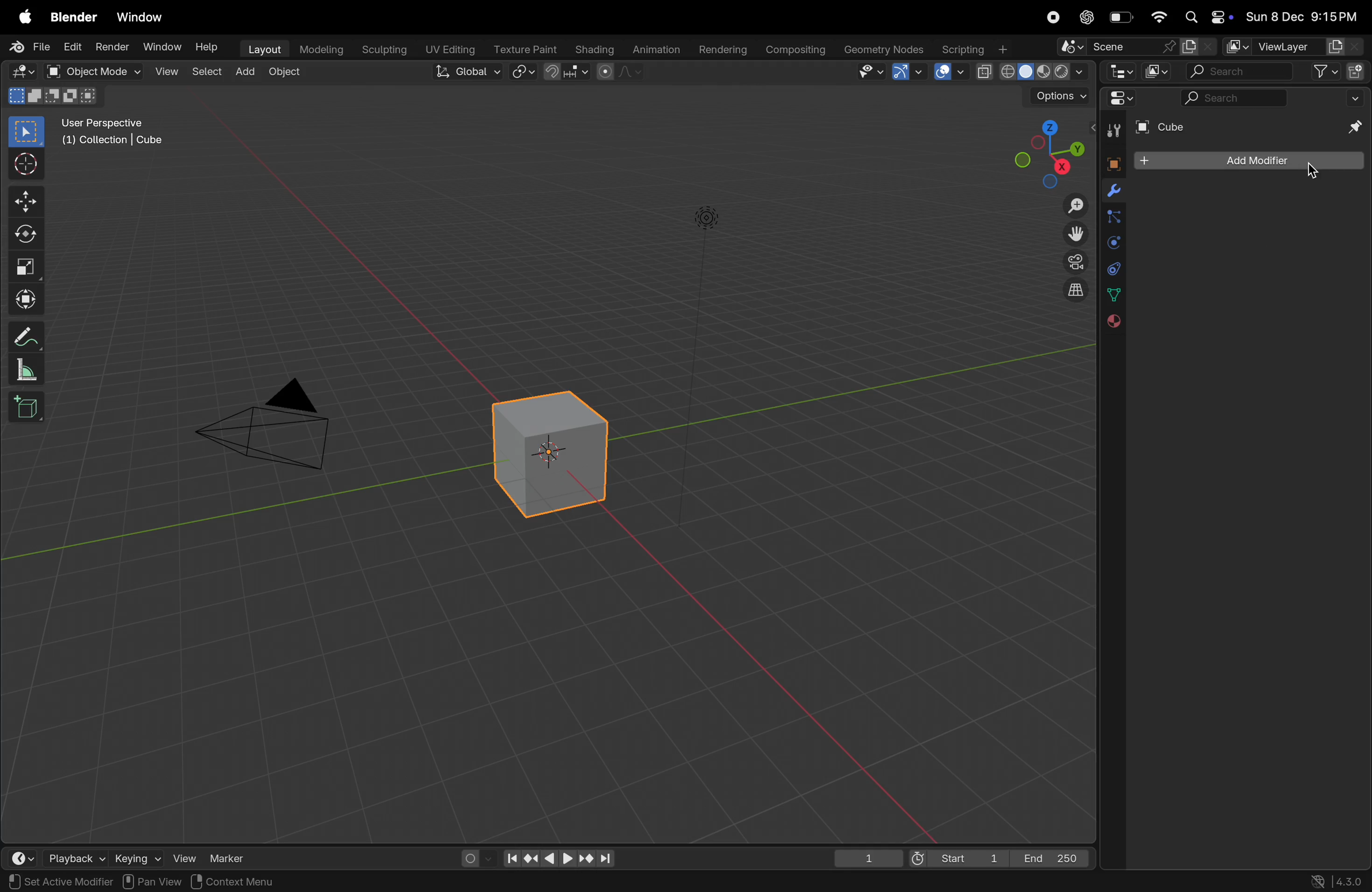 Image resolution: width=1372 pixels, height=892 pixels. I want to click on switch current view, so click(1069, 293).